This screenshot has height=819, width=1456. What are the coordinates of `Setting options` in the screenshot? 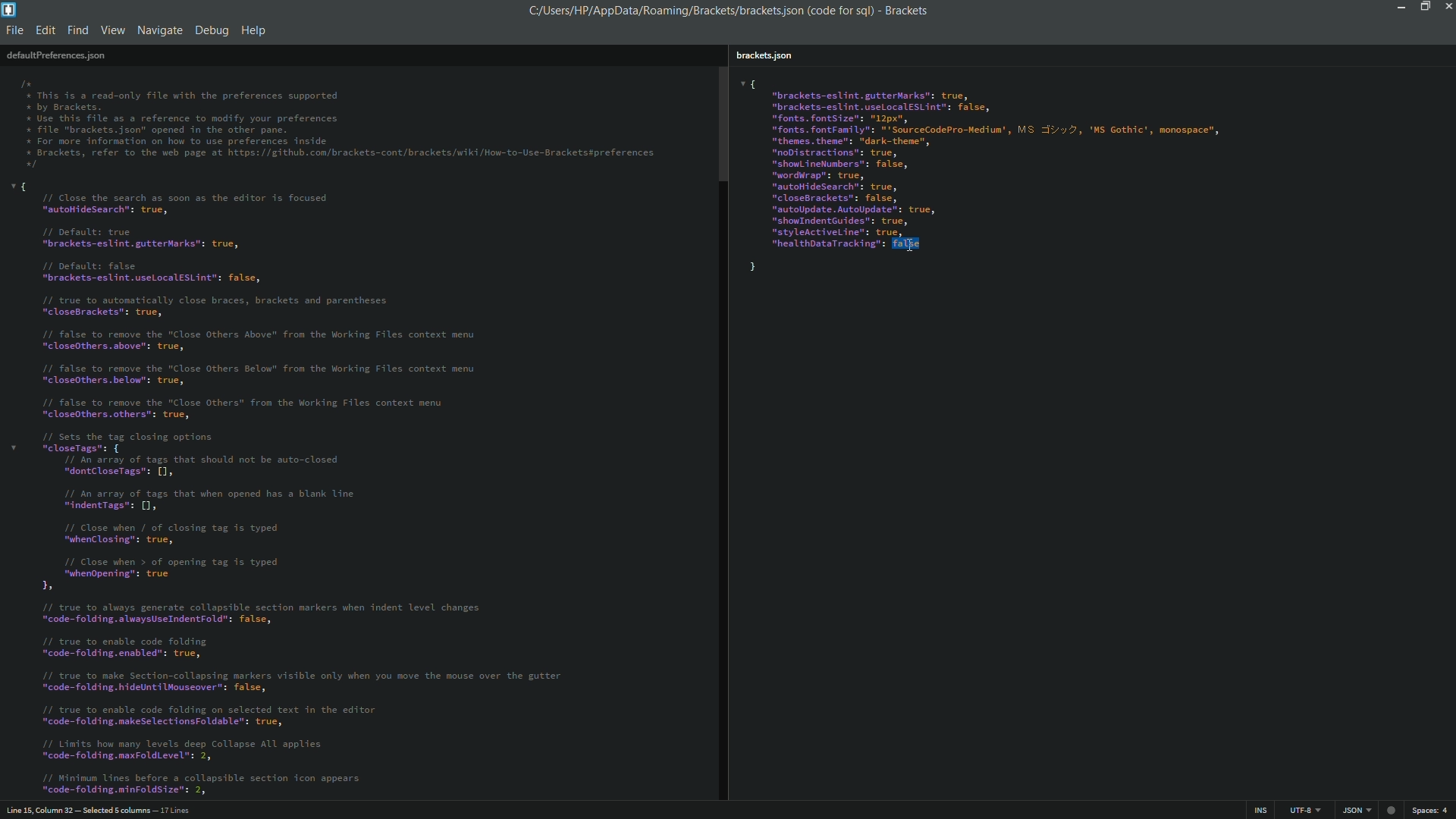 It's located at (303, 487).